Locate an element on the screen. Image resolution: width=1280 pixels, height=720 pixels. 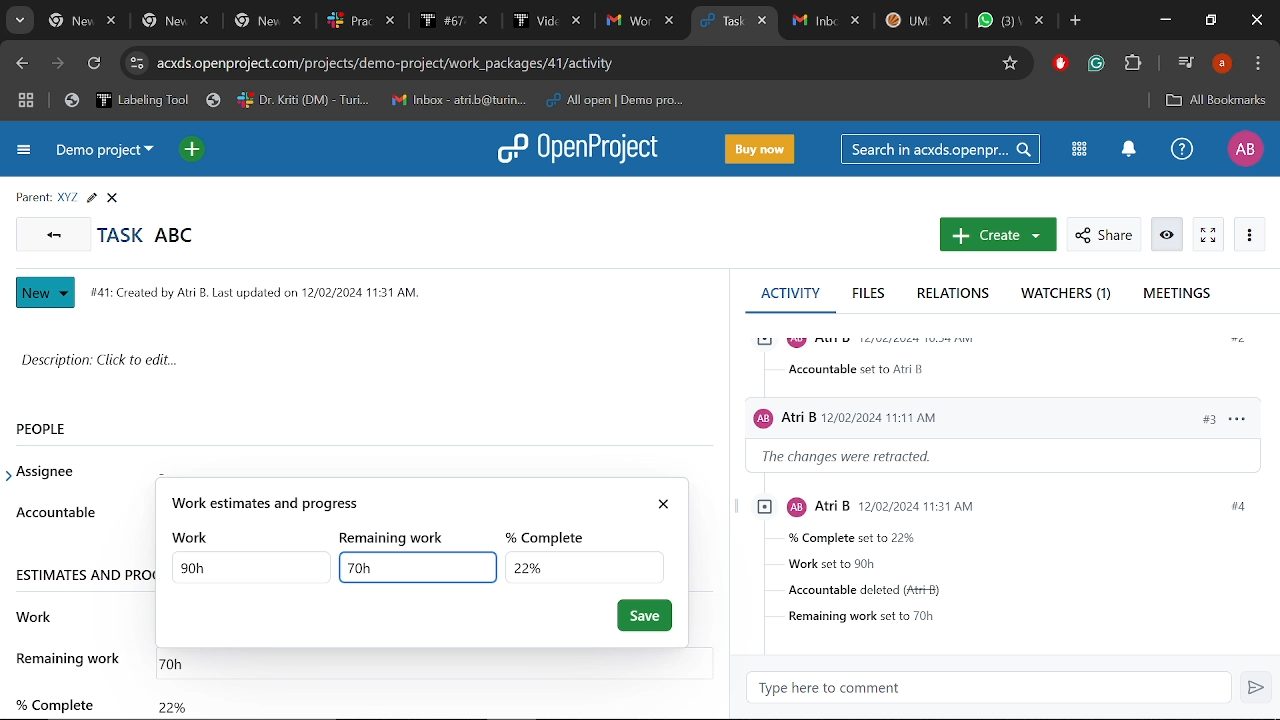
Buy now is located at coordinates (763, 148).